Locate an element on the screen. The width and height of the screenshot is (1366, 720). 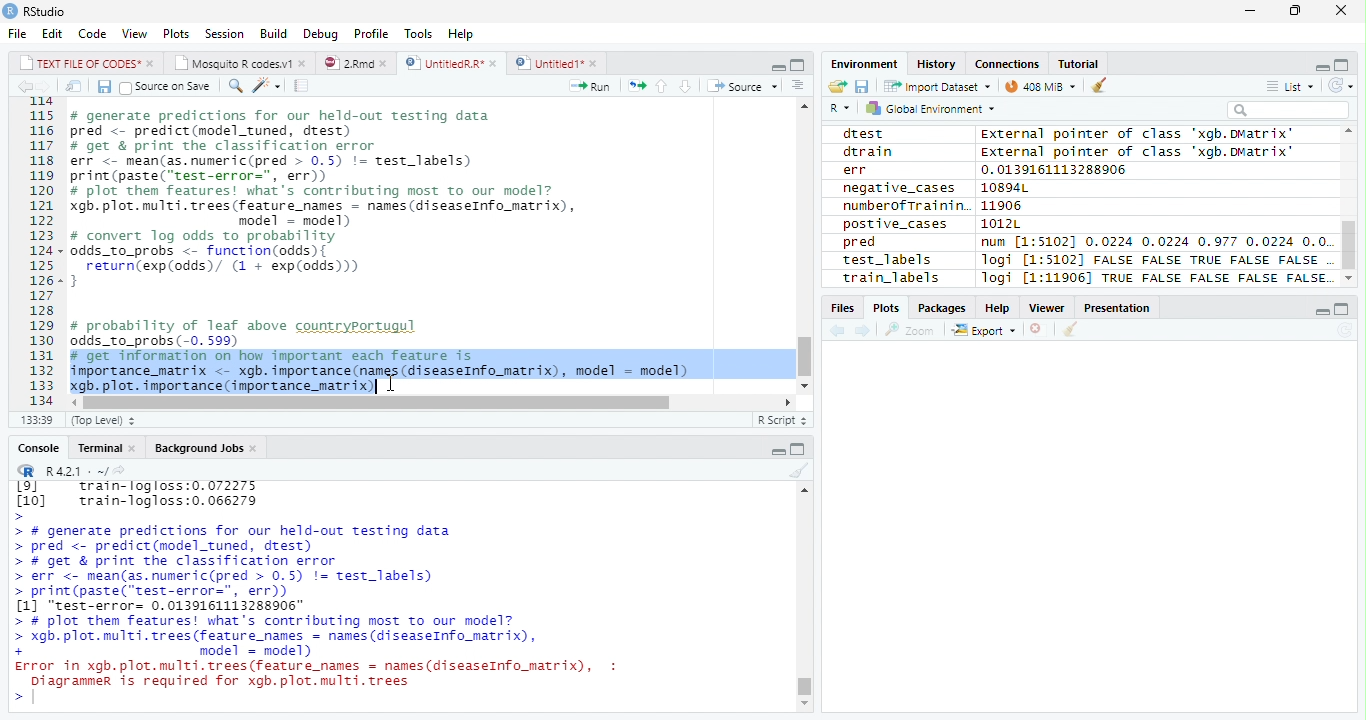
Up is located at coordinates (660, 86).